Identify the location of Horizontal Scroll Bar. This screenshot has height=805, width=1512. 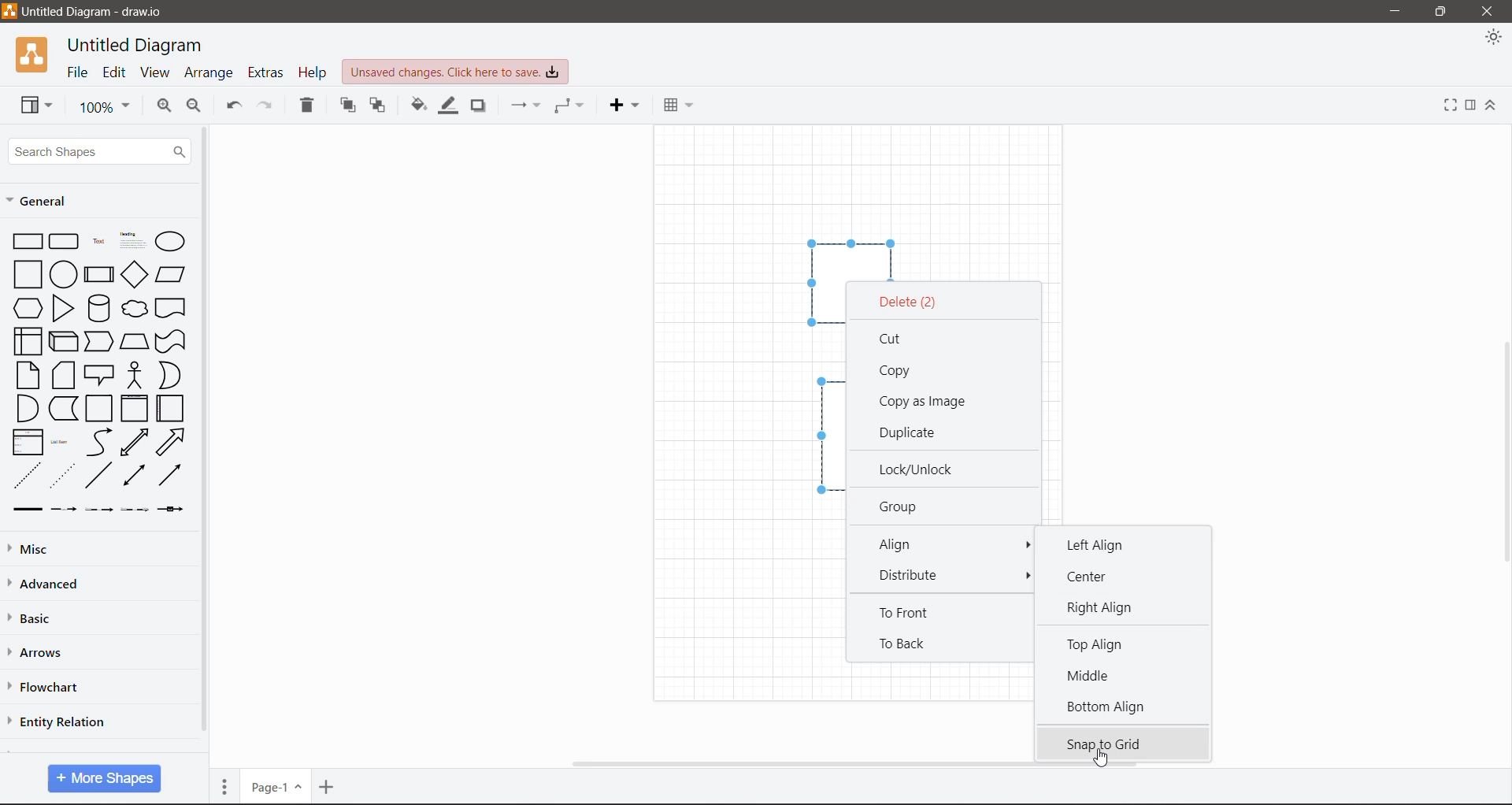
(861, 764).